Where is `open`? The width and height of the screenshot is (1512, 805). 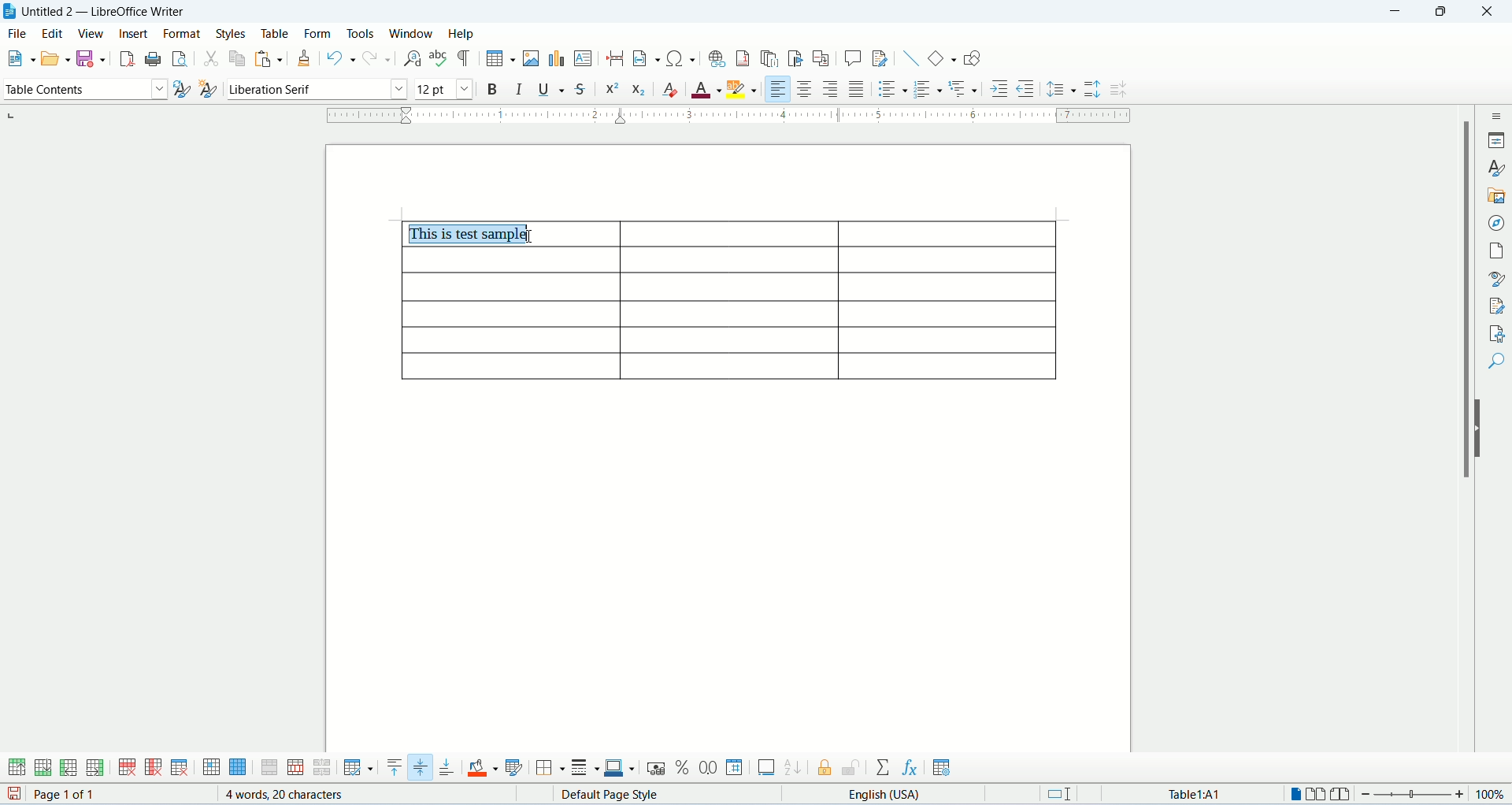
open is located at coordinates (56, 59).